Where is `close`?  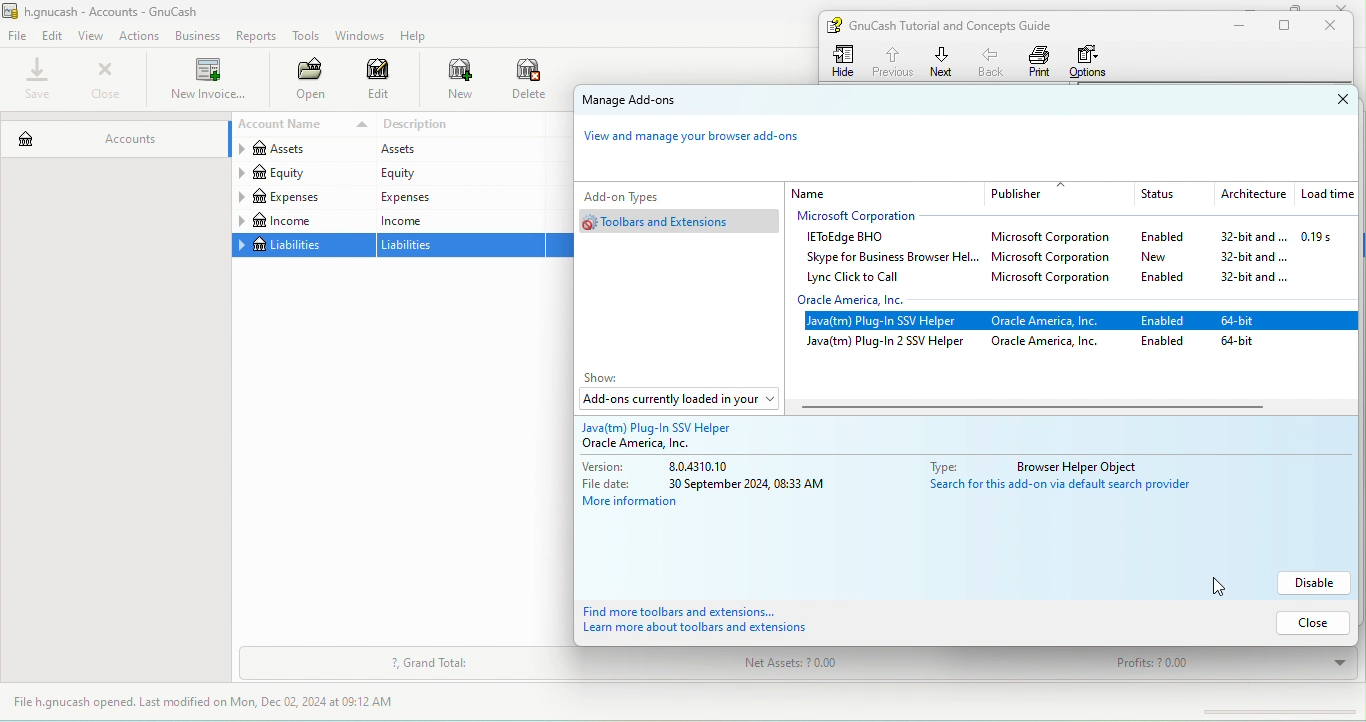 close is located at coordinates (1325, 100).